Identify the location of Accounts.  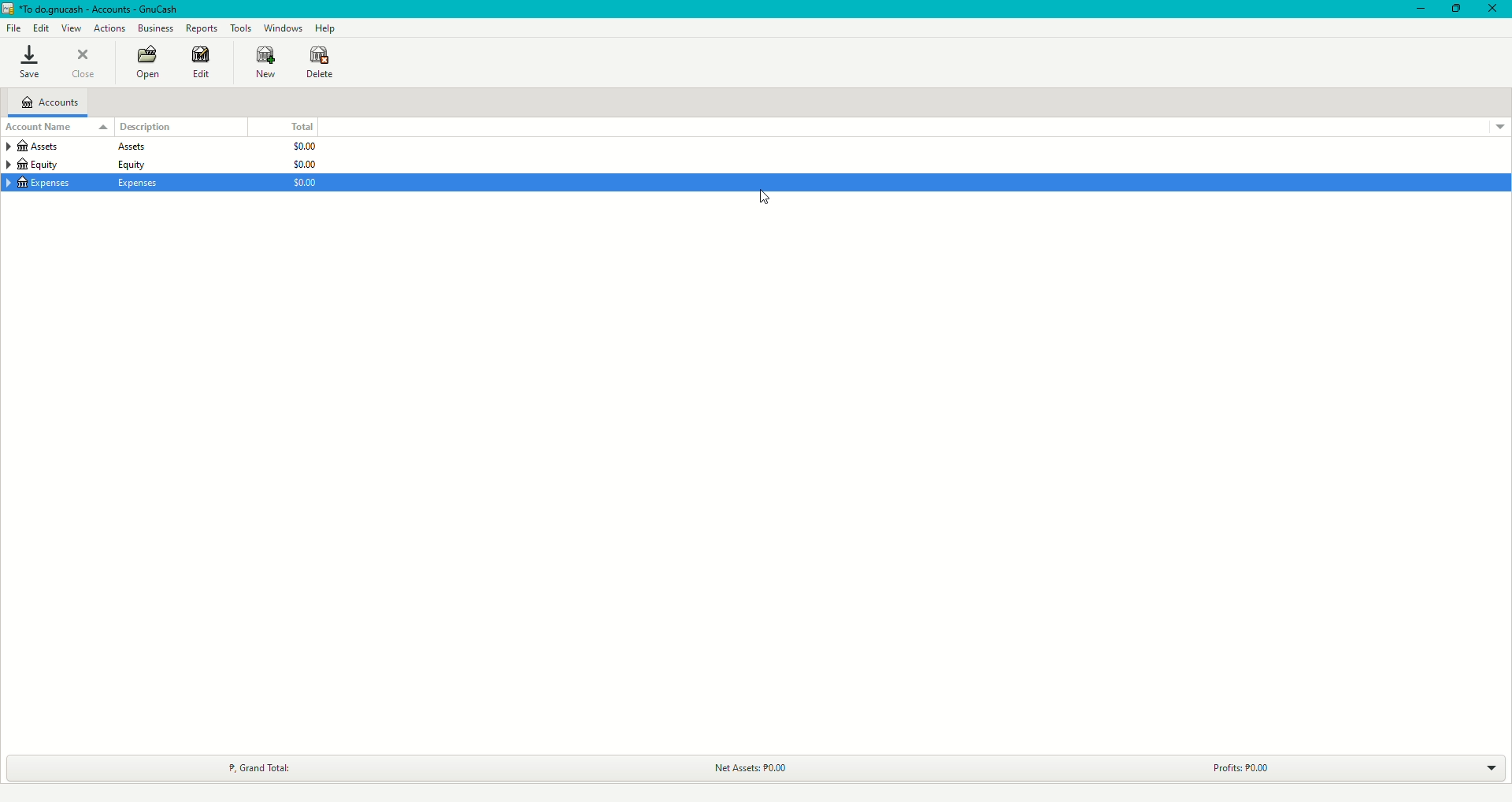
(50, 102).